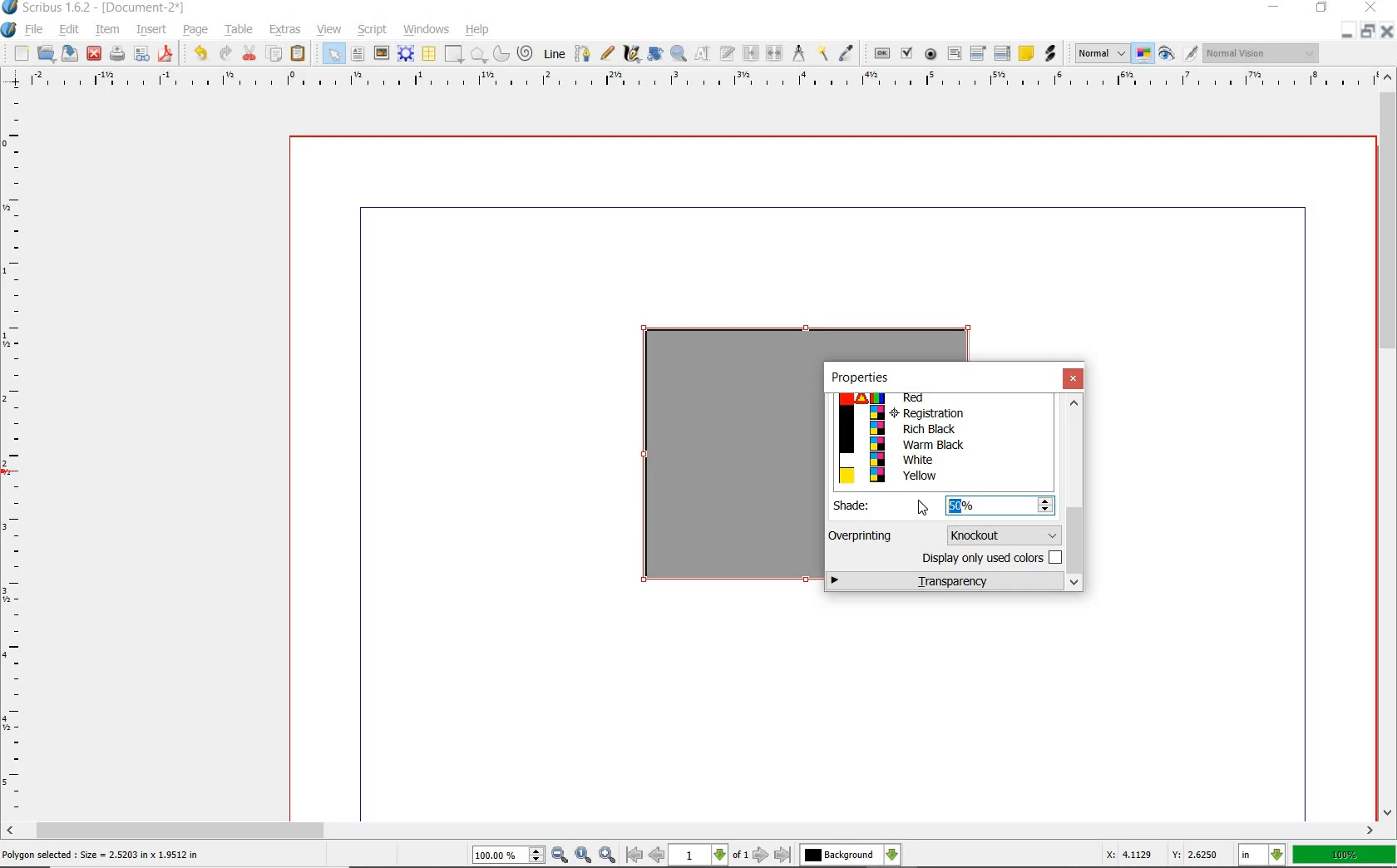 The image size is (1397, 868). Describe the element at coordinates (973, 505) in the screenshot. I see `50%` at that location.